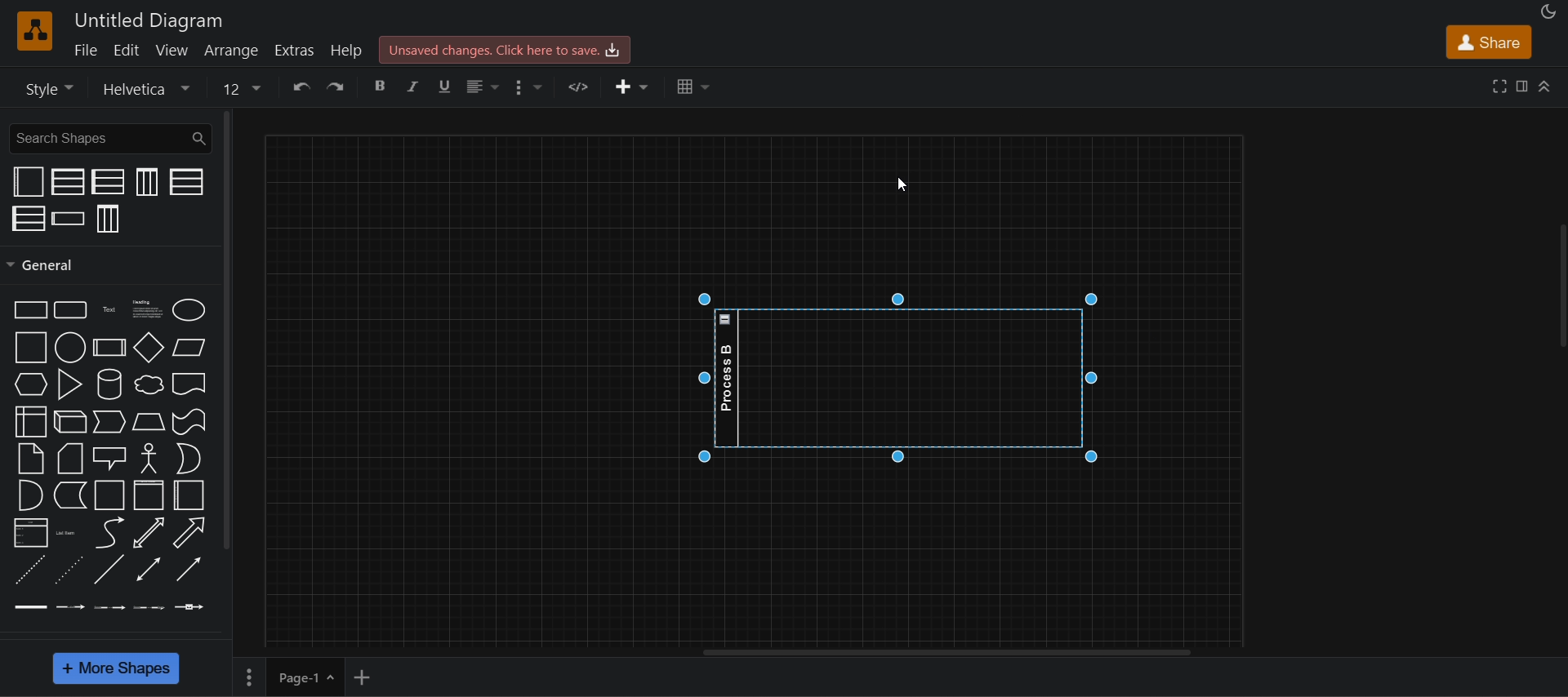 The image size is (1568, 697). Describe the element at coordinates (35, 30) in the screenshot. I see `logo` at that location.